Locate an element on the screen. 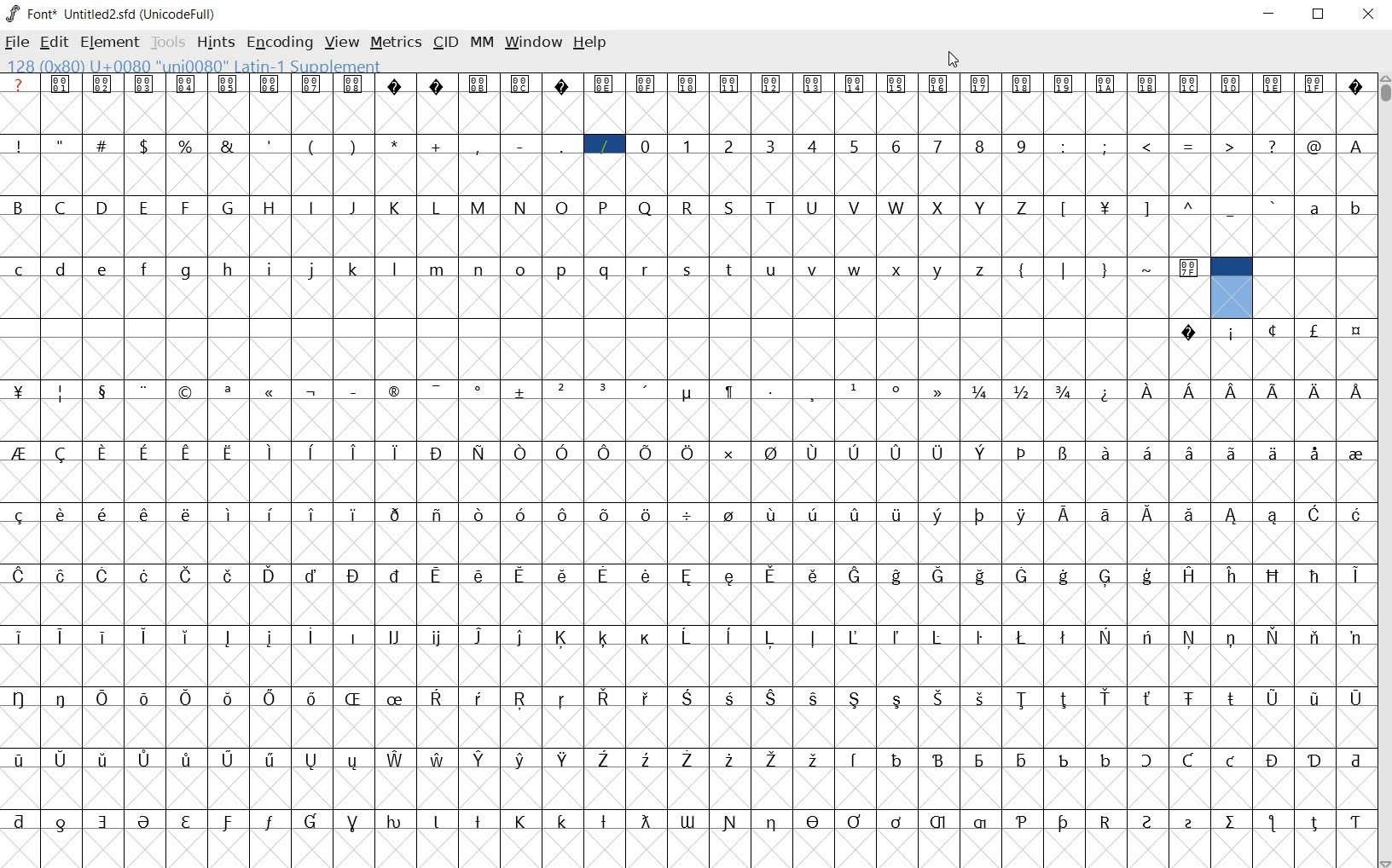 The width and height of the screenshot is (1392, 868). e is located at coordinates (103, 268).